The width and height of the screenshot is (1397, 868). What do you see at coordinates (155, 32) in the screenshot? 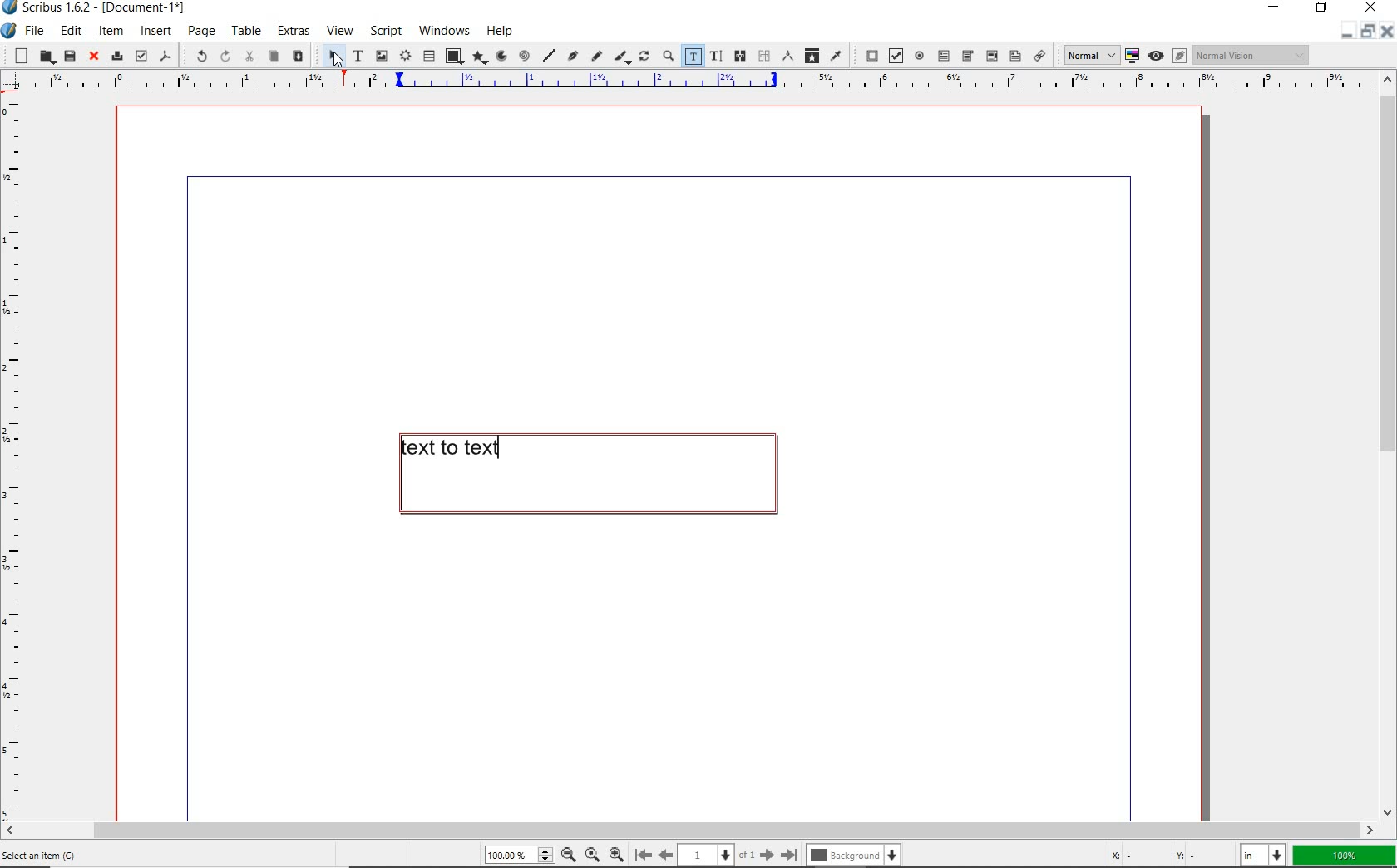
I see `insert` at bounding box center [155, 32].